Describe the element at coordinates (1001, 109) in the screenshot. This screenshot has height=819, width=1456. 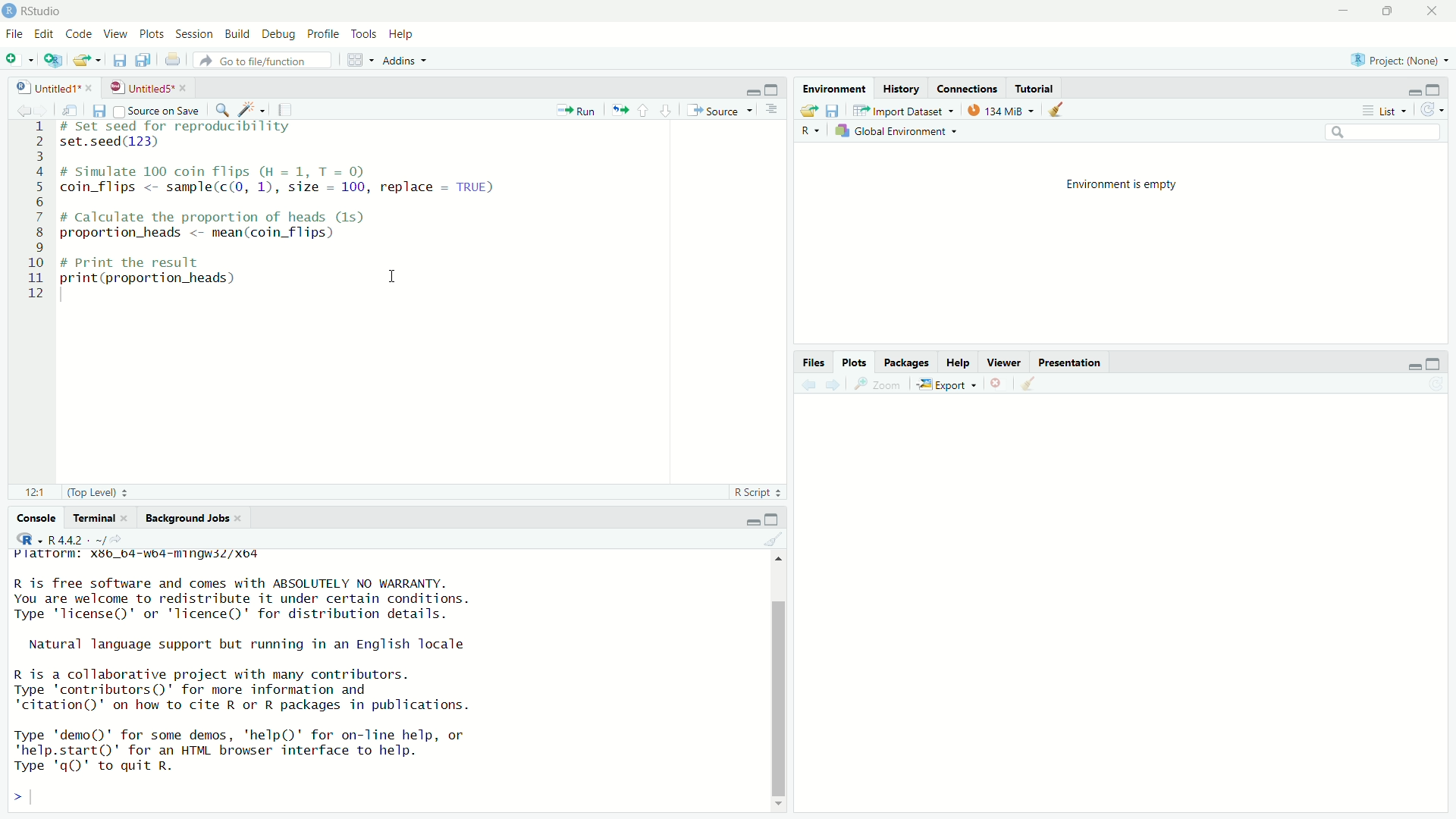
I see `134 MiB` at that location.